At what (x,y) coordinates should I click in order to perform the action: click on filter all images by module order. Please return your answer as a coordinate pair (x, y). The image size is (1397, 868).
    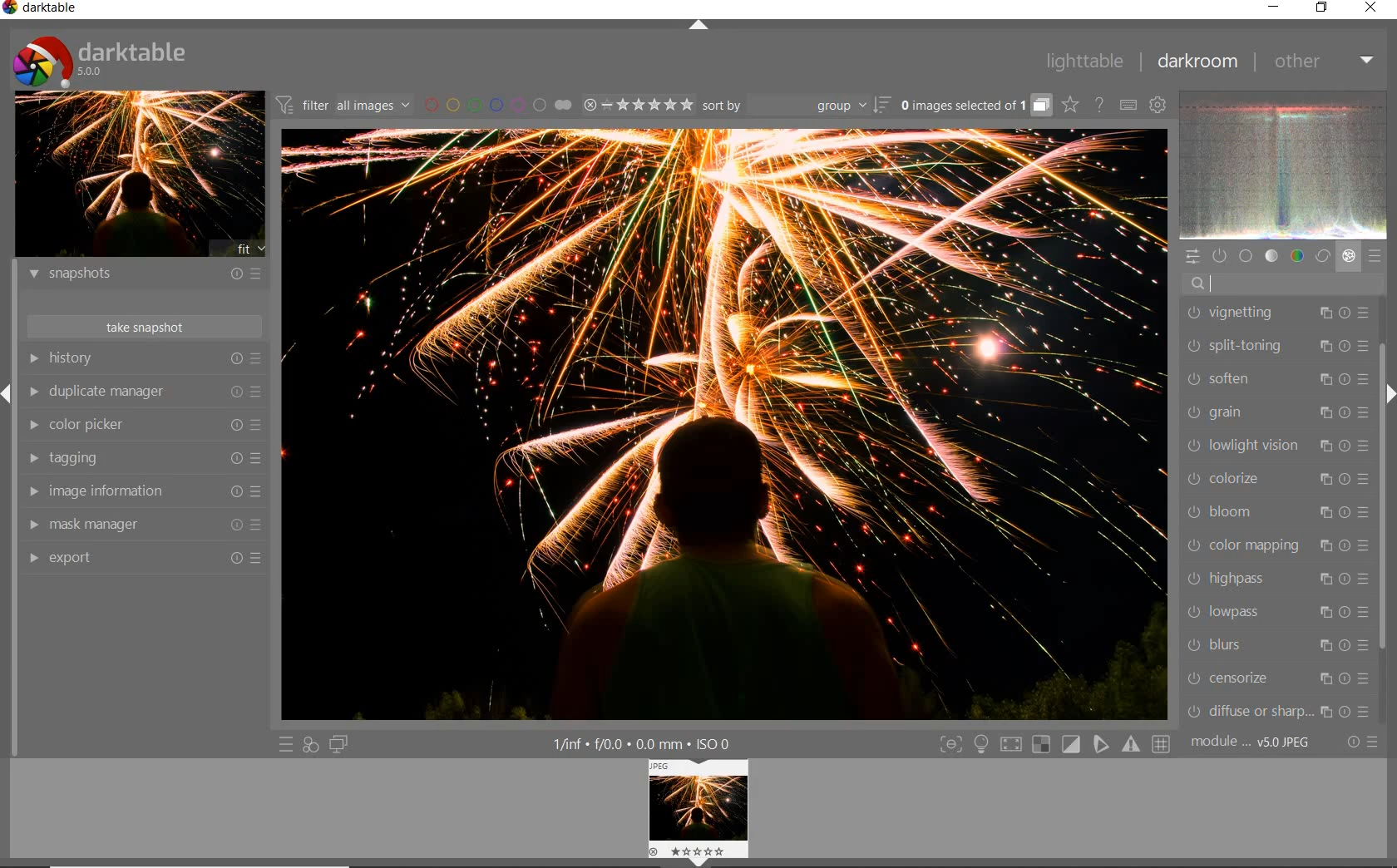
    Looking at the image, I should click on (343, 103).